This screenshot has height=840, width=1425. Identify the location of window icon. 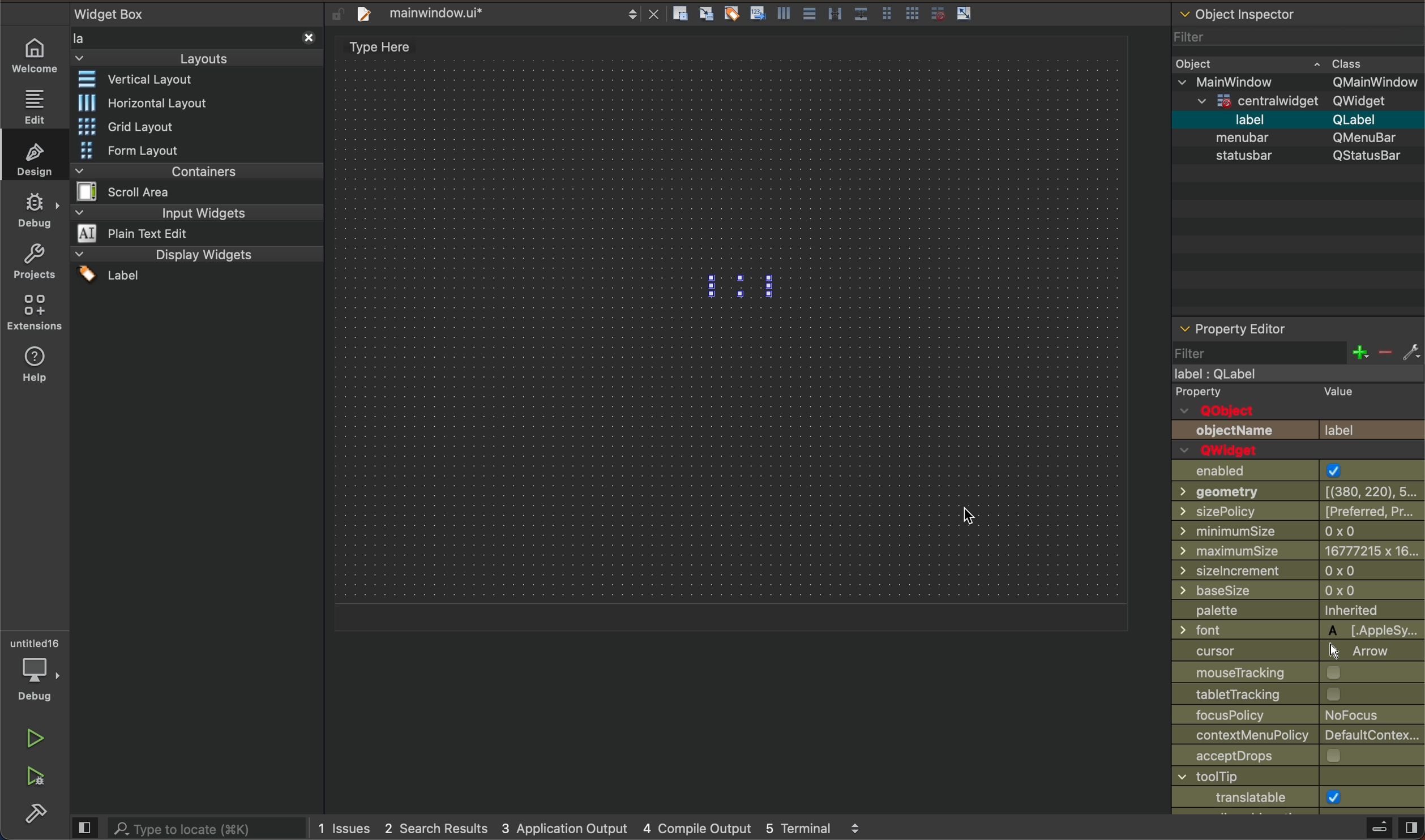
(1297, 796).